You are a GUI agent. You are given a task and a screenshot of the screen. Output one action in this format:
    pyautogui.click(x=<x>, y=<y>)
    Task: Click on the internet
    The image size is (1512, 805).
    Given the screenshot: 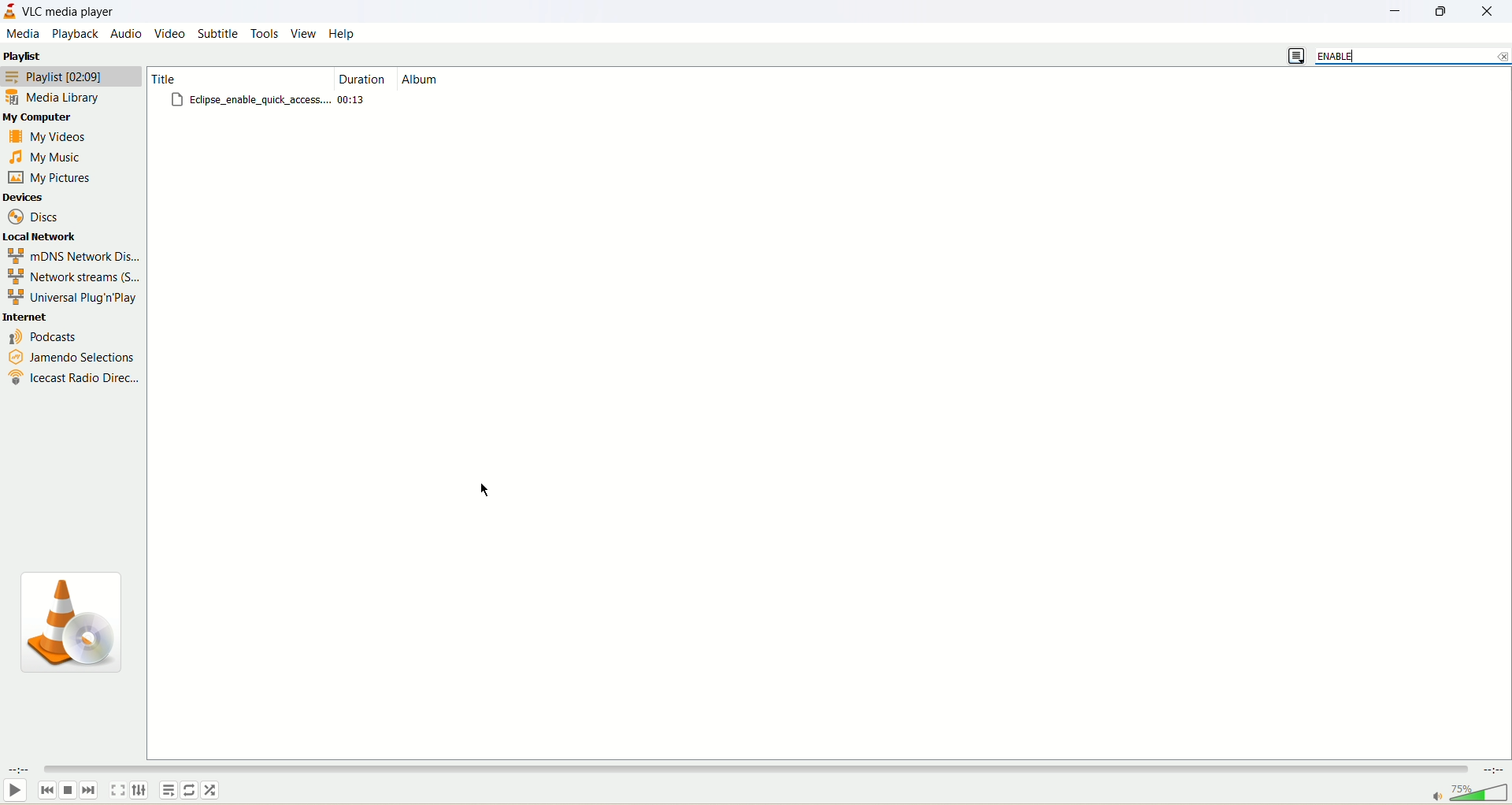 What is the action you would take?
    pyautogui.click(x=76, y=316)
    